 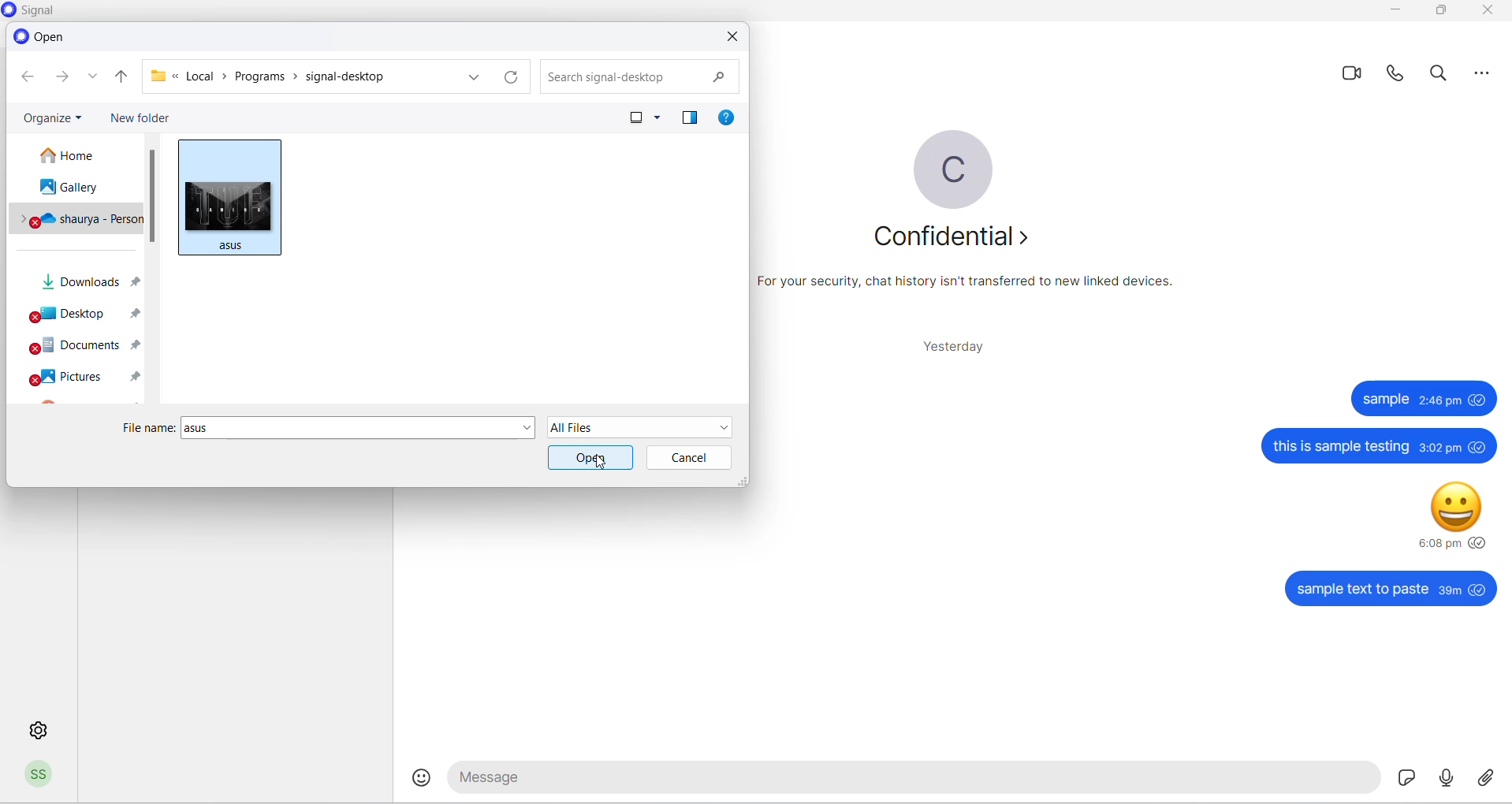 I want to click on profile picture, so click(x=953, y=169).